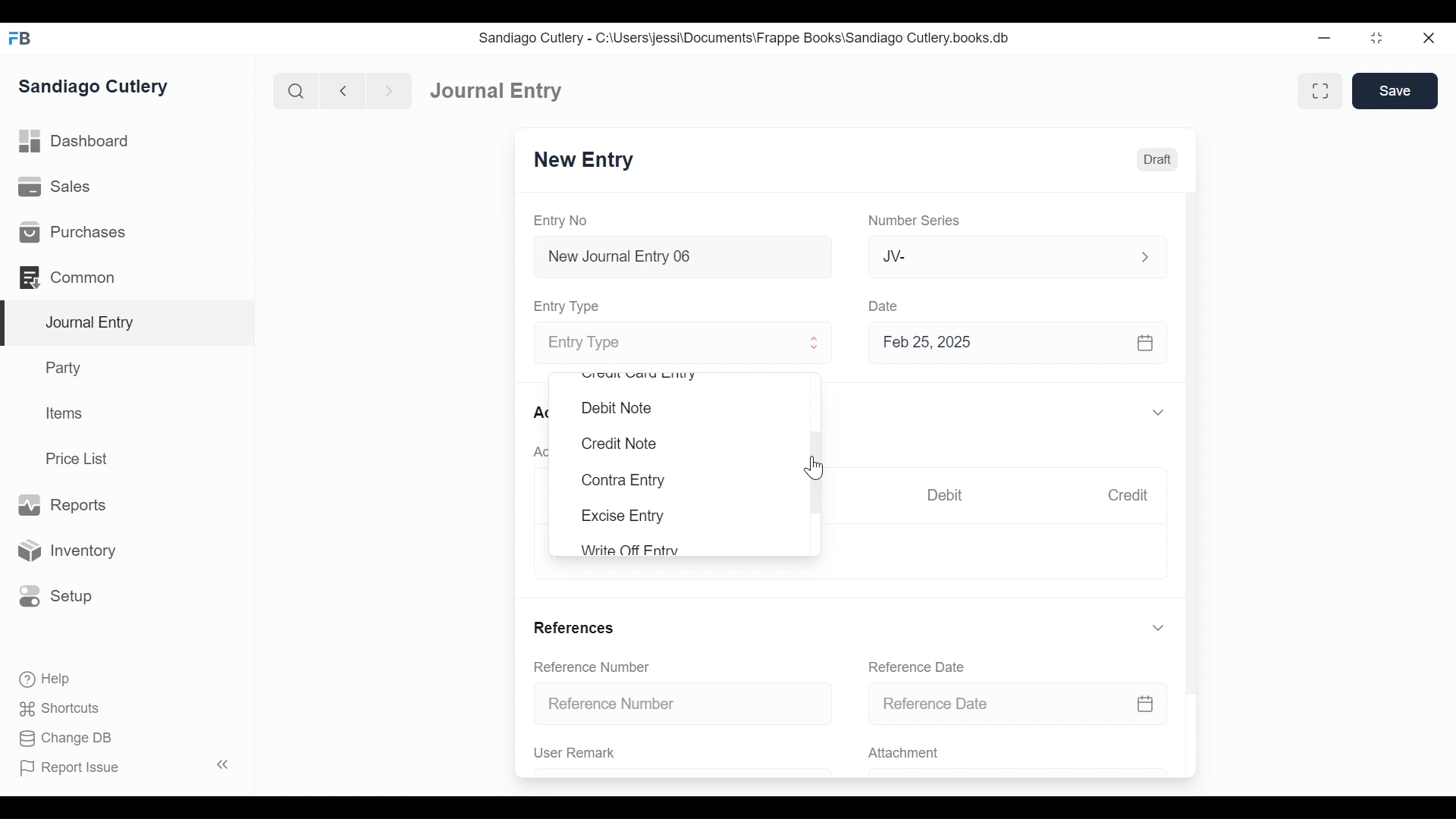 This screenshot has width=1456, height=819. I want to click on Credit, so click(1127, 495).